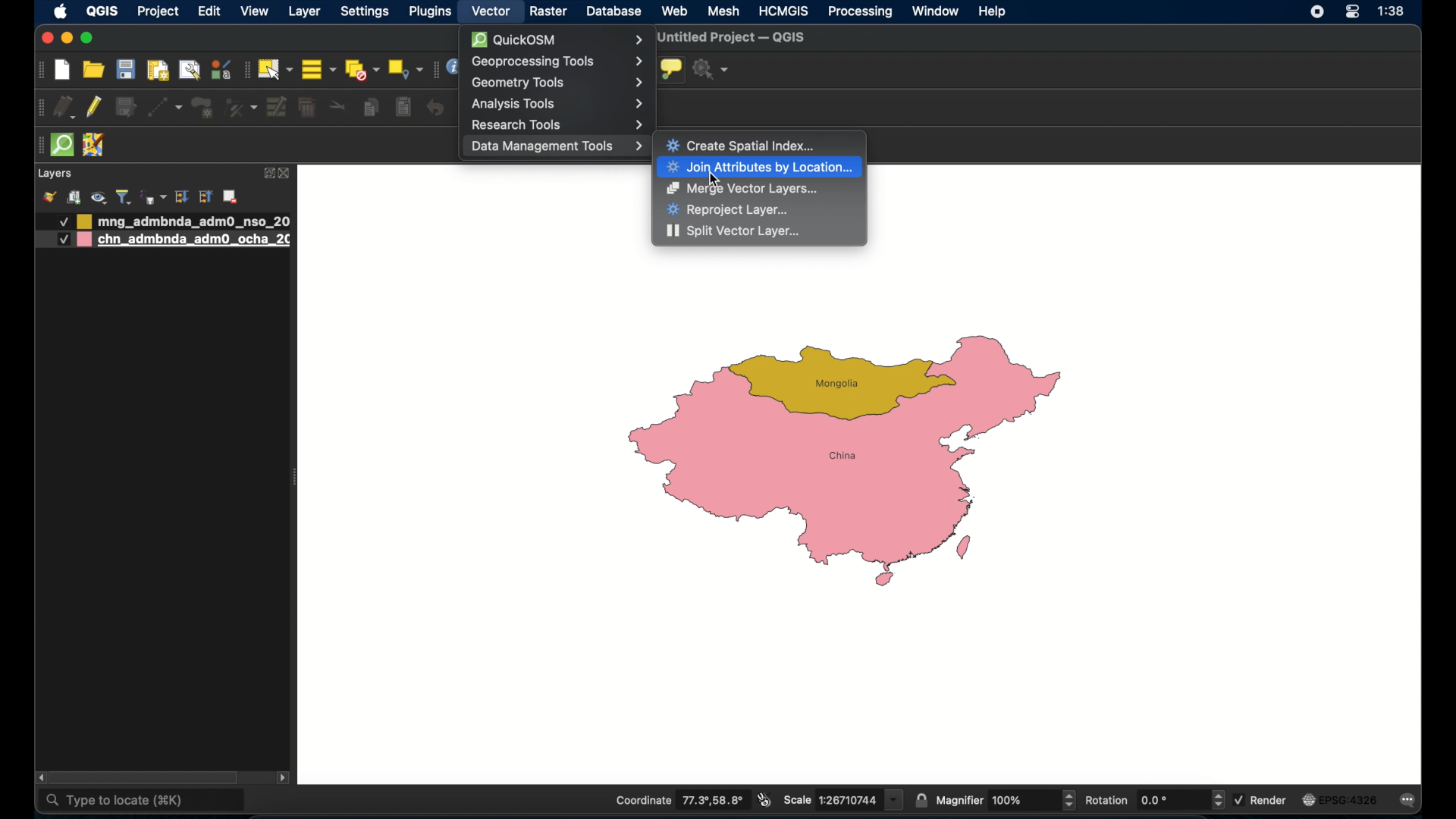 Image resolution: width=1456 pixels, height=819 pixels. Describe the element at coordinates (742, 190) in the screenshot. I see `Merge Vector Layers...` at that location.